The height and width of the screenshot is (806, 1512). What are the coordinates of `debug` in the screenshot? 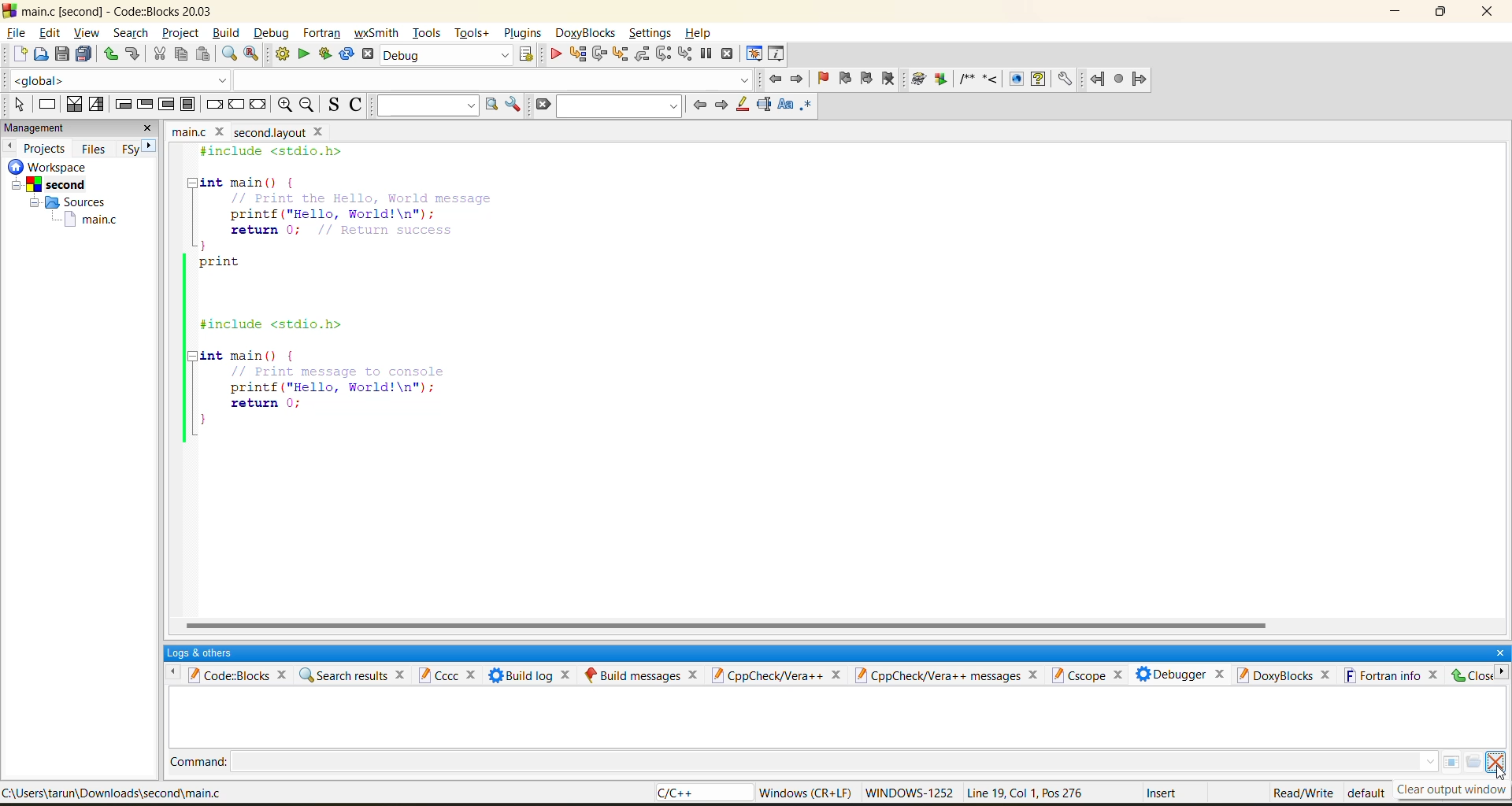 It's located at (554, 54).